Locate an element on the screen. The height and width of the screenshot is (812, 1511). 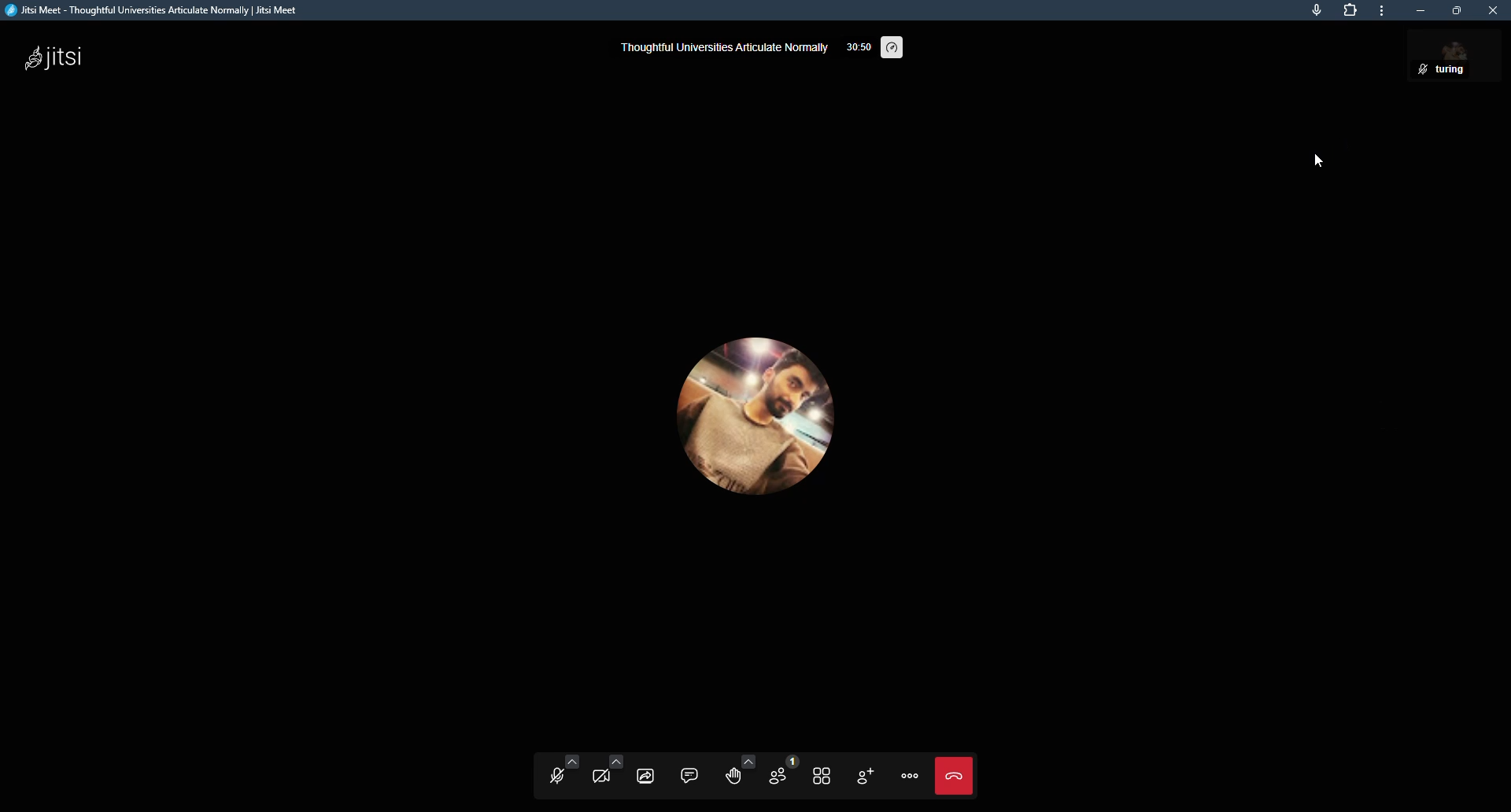
unmute mic is located at coordinates (555, 774).